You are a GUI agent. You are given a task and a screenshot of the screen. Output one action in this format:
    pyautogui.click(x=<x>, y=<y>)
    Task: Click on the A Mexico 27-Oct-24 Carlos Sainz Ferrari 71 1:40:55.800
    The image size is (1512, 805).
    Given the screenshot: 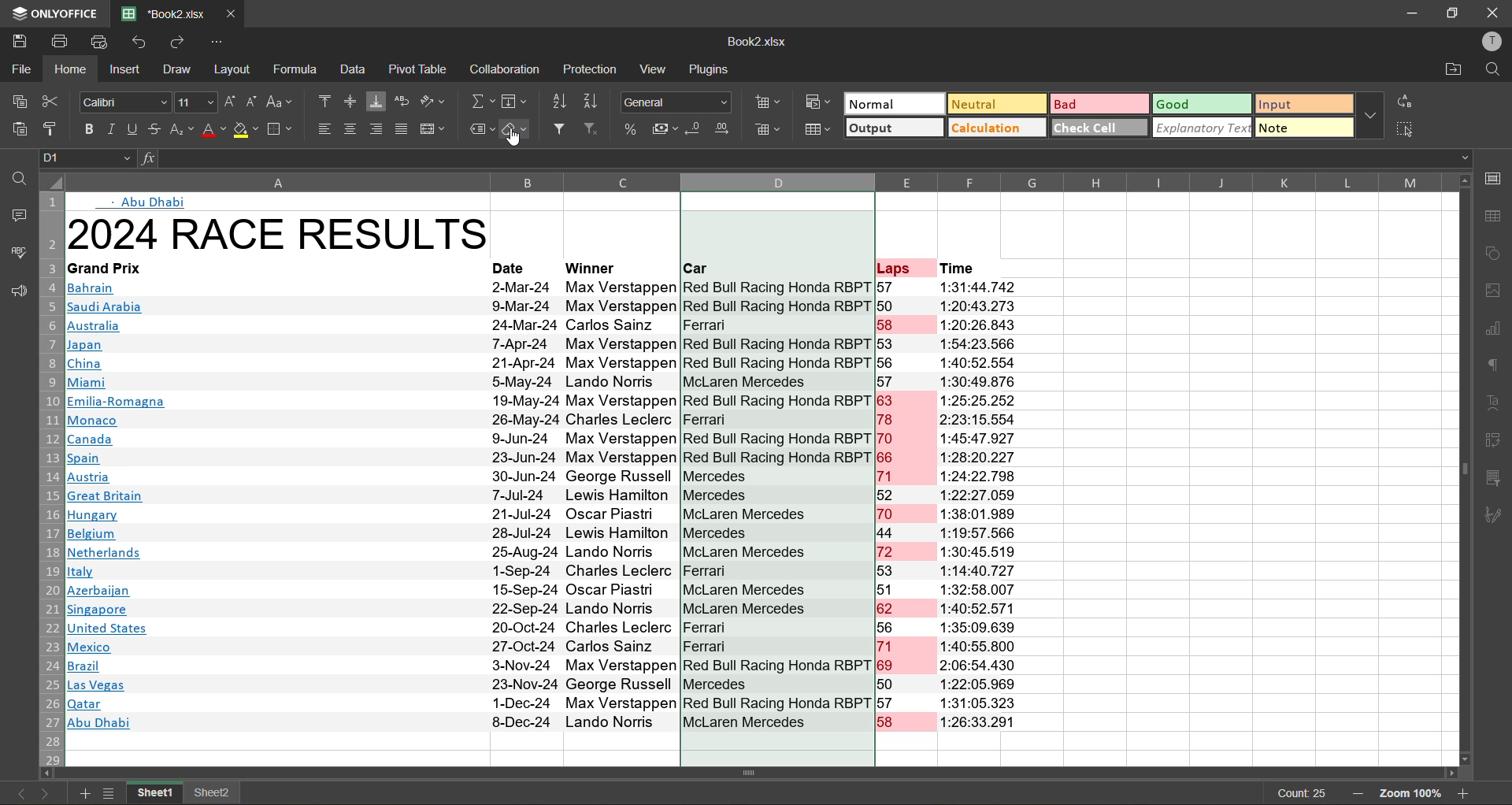 What is the action you would take?
    pyautogui.click(x=543, y=647)
    